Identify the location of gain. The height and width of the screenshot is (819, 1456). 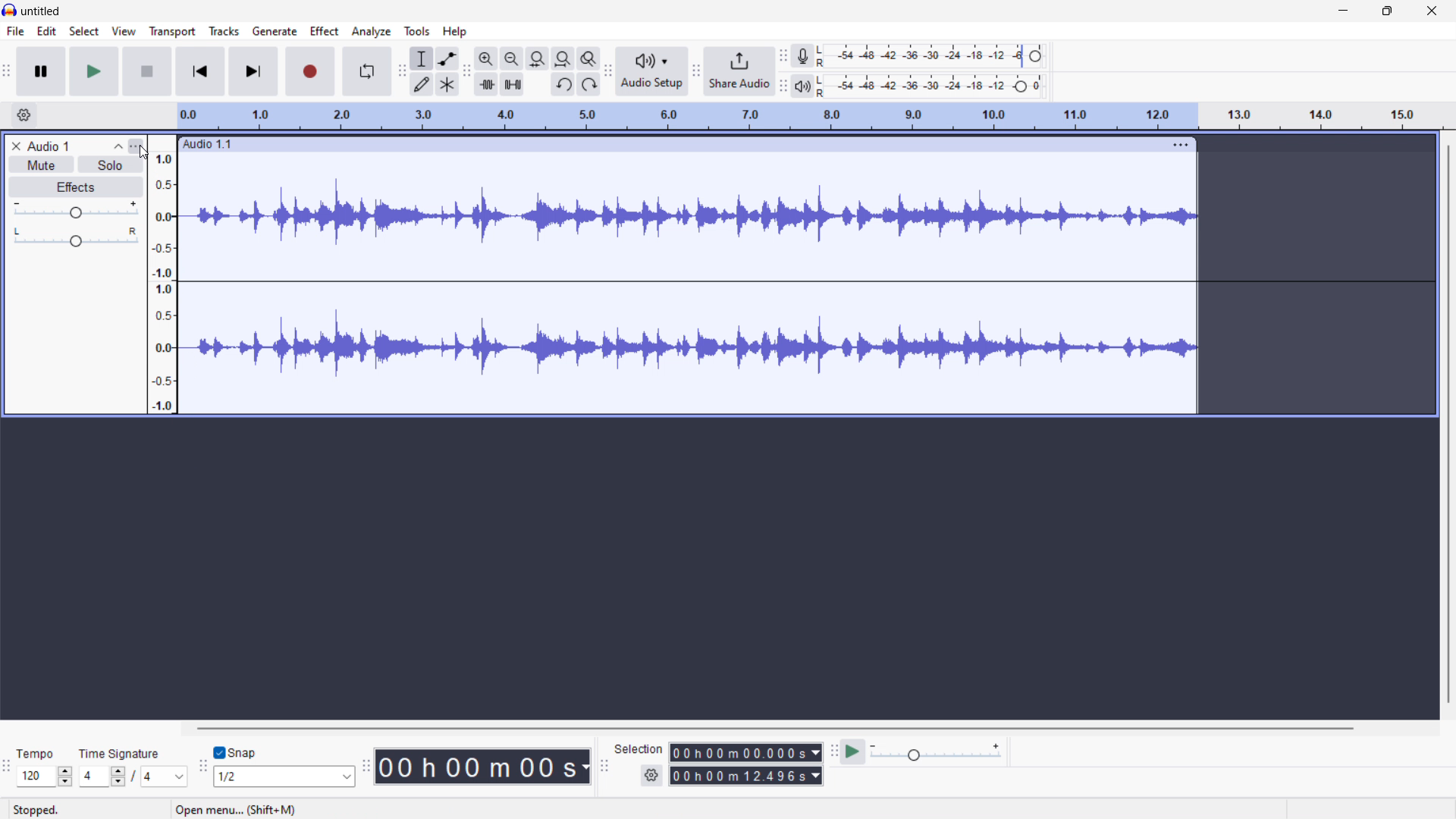
(76, 212).